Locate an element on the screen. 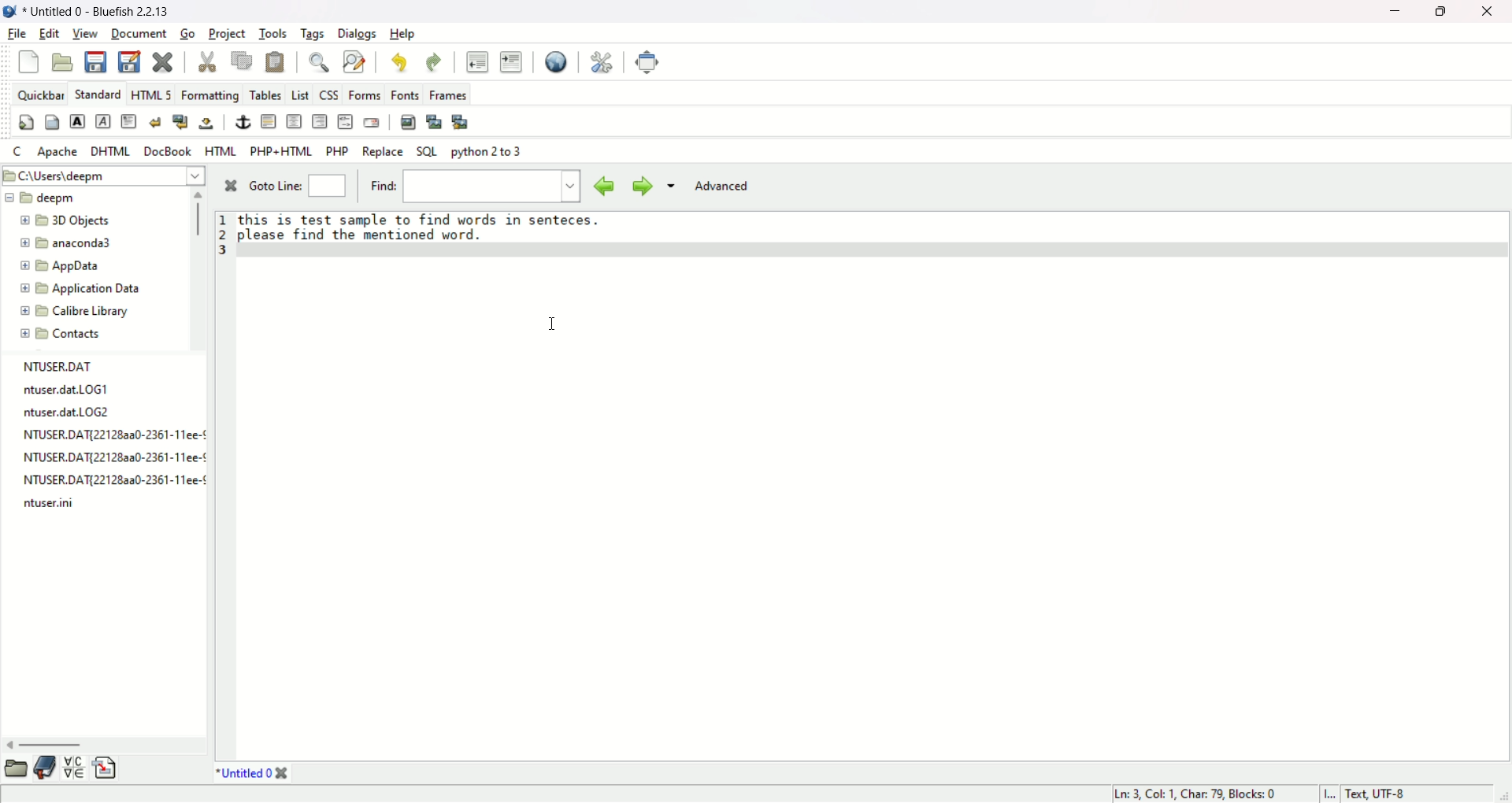  CSS is located at coordinates (328, 95).